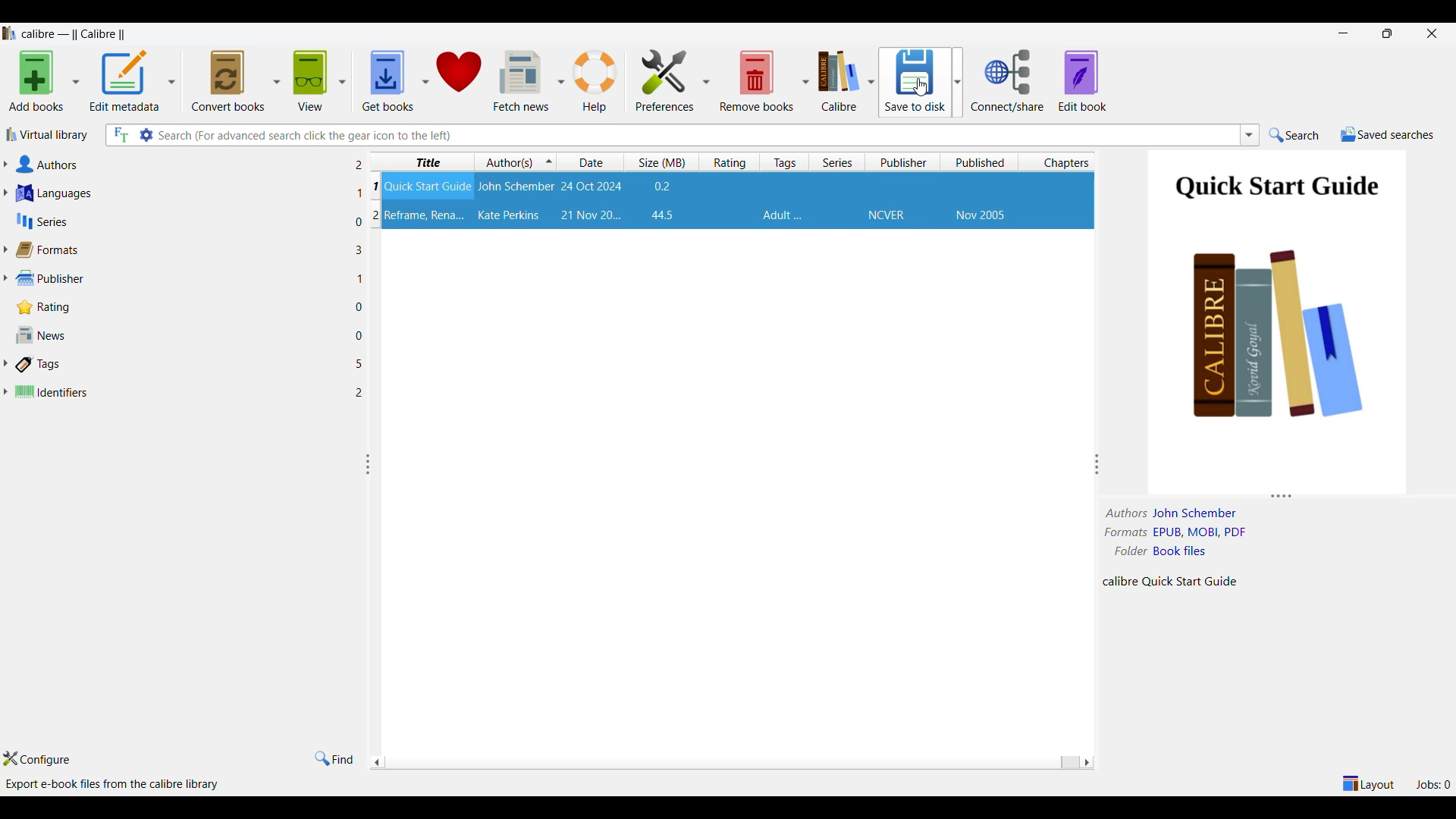 This screenshot has width=1456, height=819. I want to click on 2, so click(358, 165).